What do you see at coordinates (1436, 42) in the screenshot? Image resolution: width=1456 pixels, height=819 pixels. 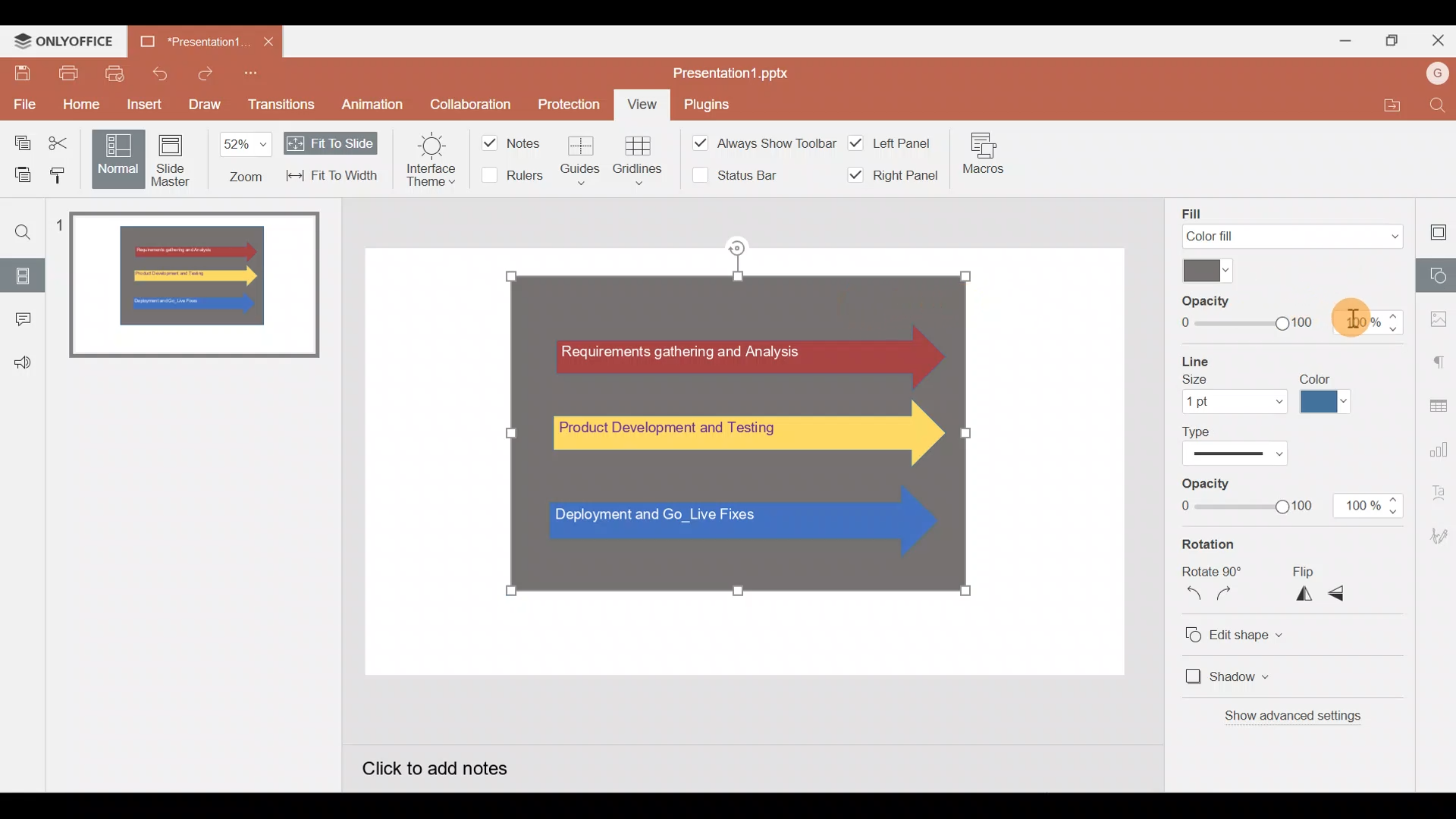 I see `Close` at bounding box center [1436, 42].